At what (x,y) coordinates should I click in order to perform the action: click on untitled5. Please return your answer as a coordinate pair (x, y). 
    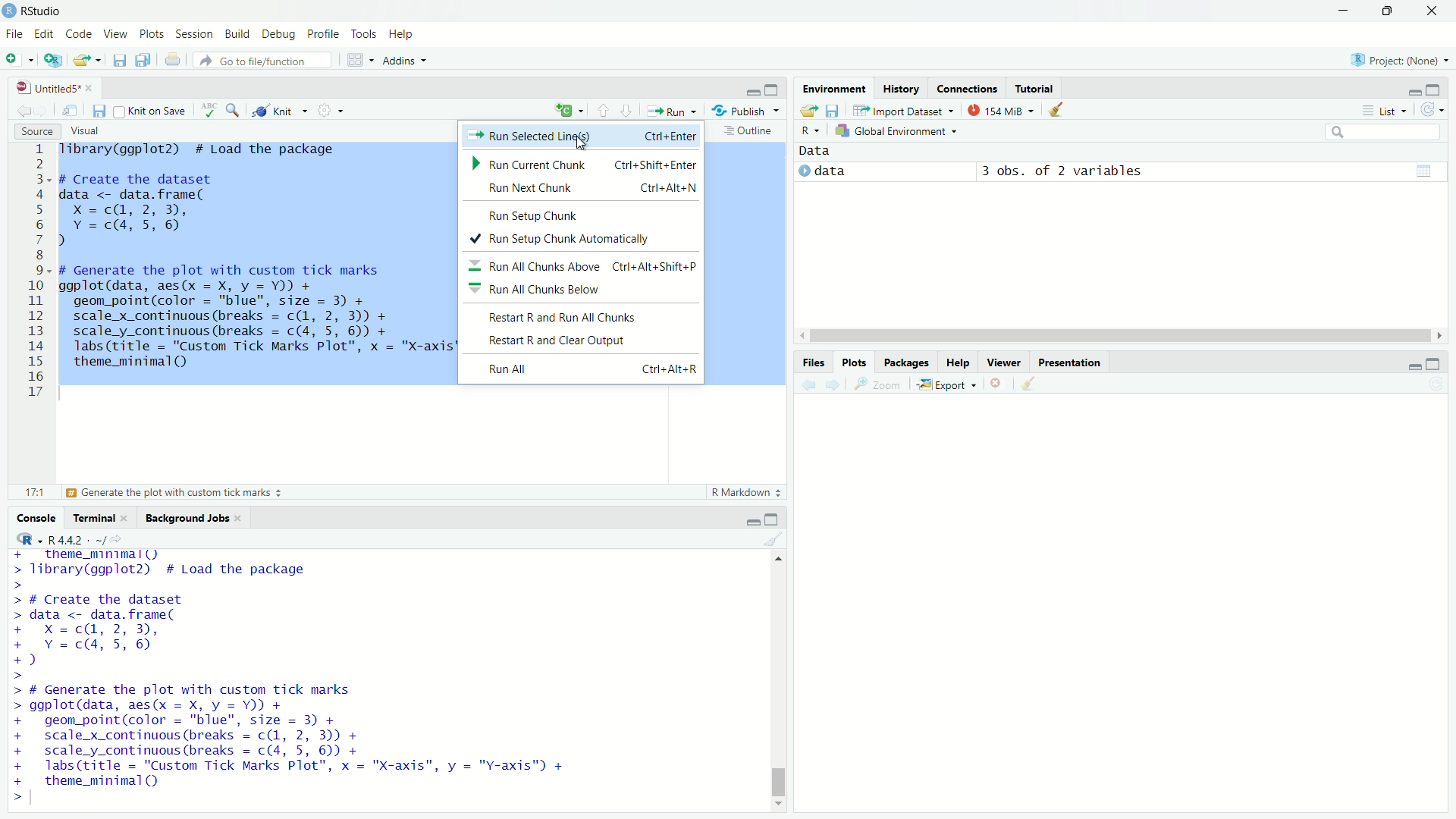
    Looking at the image, I should click on (39, 87).